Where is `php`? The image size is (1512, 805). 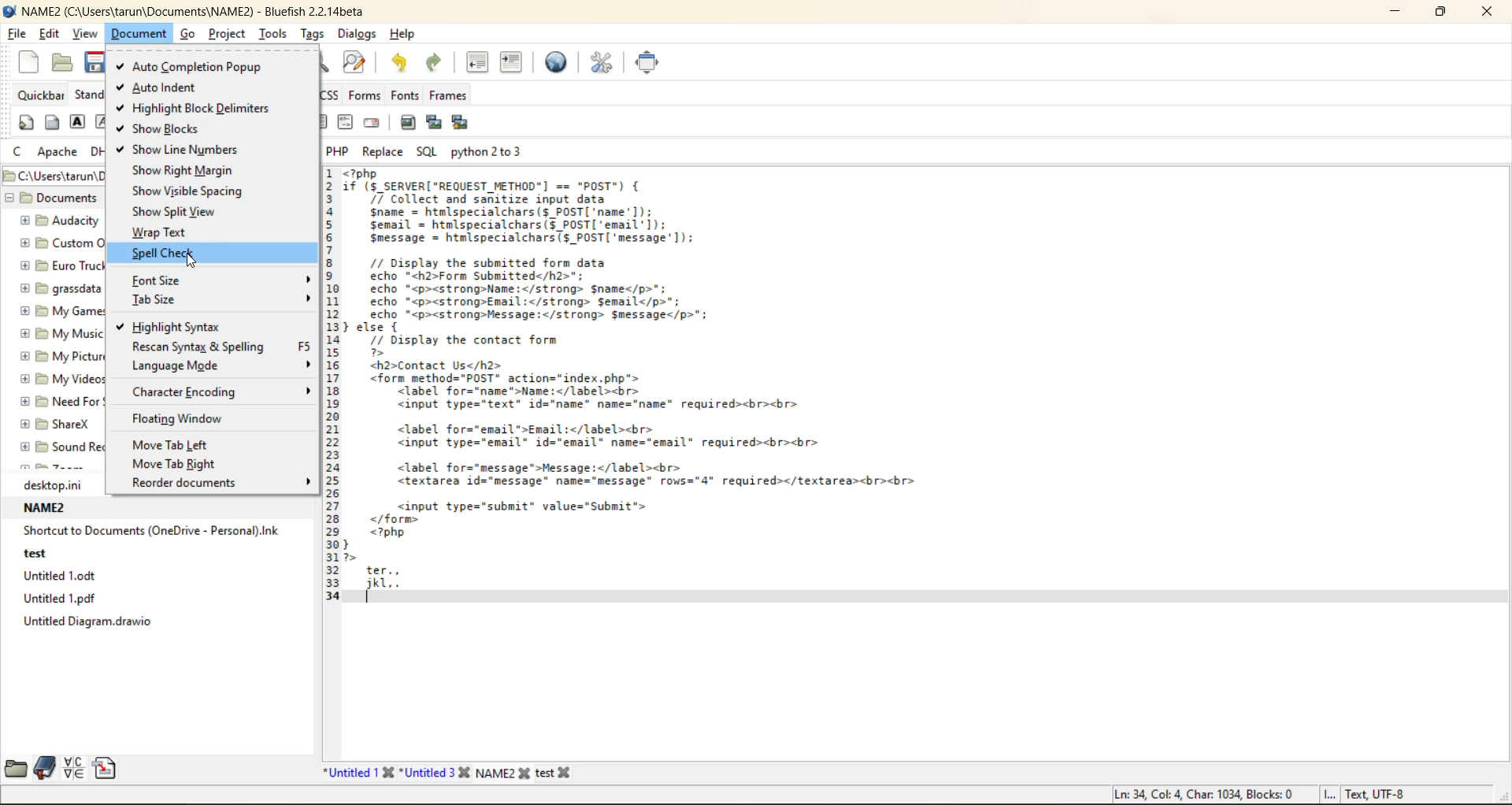
php is located at coordinates (338, 150).